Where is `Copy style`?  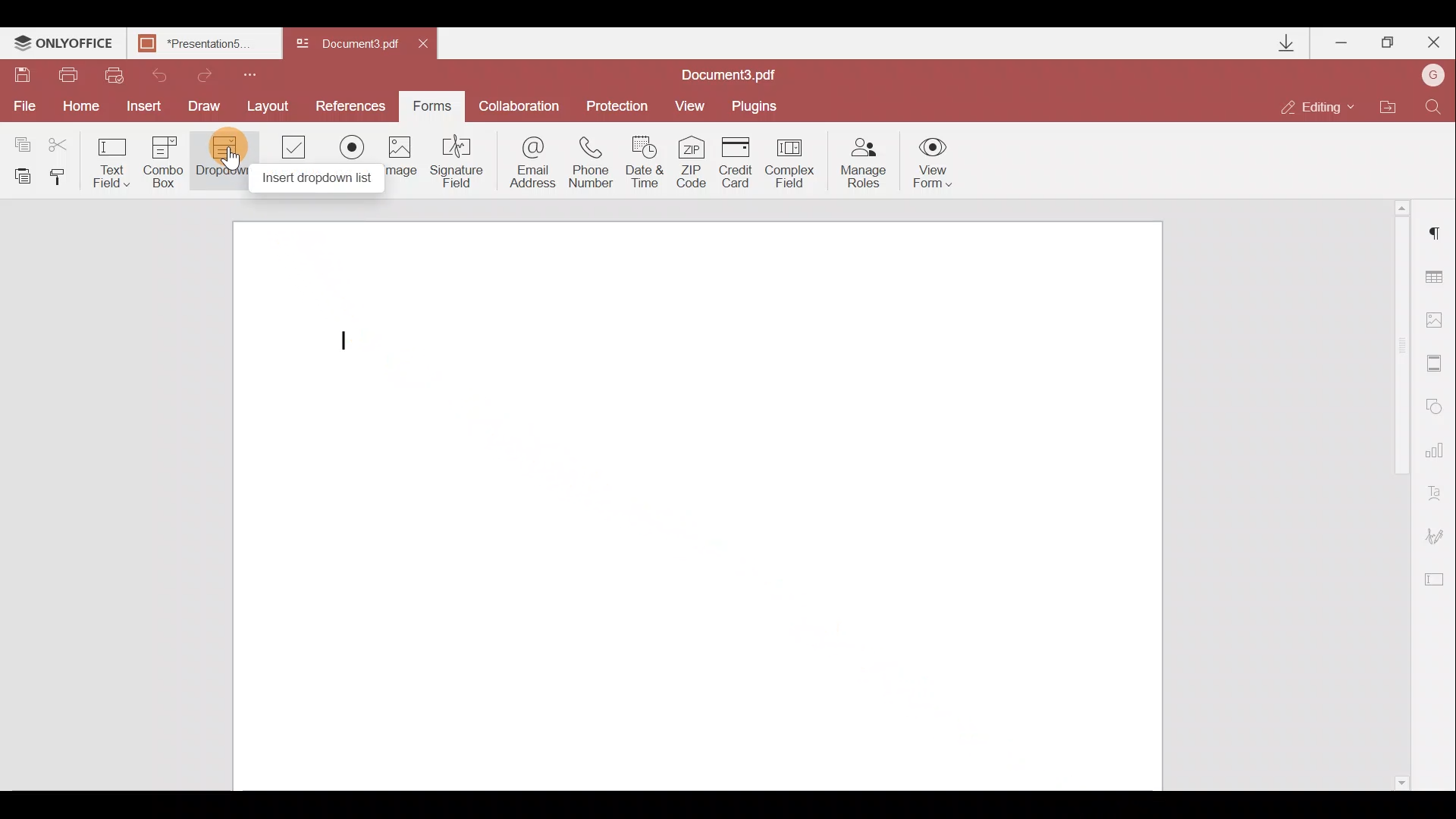
Copy style is located at coordinates (62, 176).